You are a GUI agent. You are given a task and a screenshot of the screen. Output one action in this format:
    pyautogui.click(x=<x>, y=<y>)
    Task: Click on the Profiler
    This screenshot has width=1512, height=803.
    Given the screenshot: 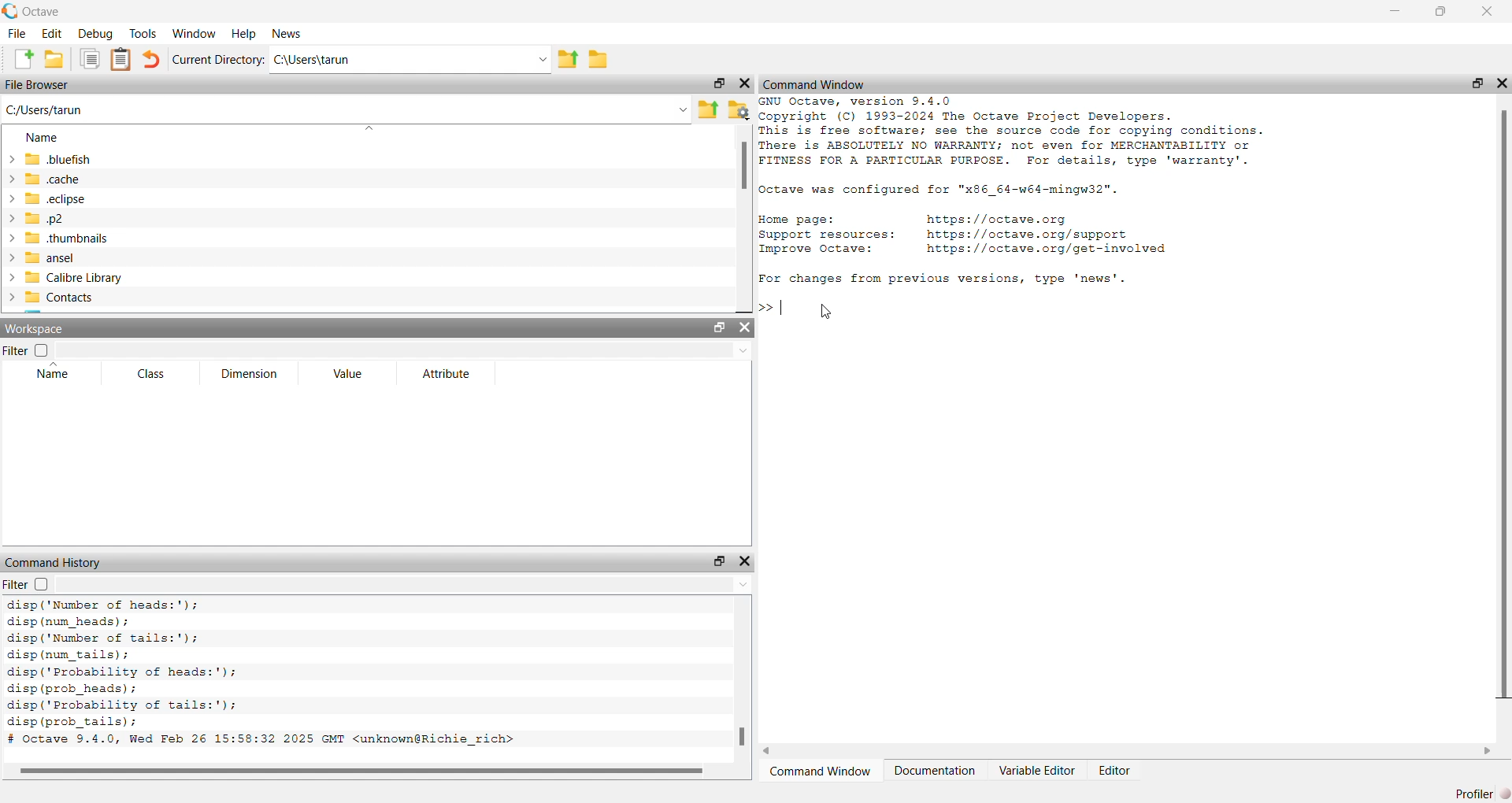 What is the action you would take?
    pyautogui.click(x=1474, y=794)
    